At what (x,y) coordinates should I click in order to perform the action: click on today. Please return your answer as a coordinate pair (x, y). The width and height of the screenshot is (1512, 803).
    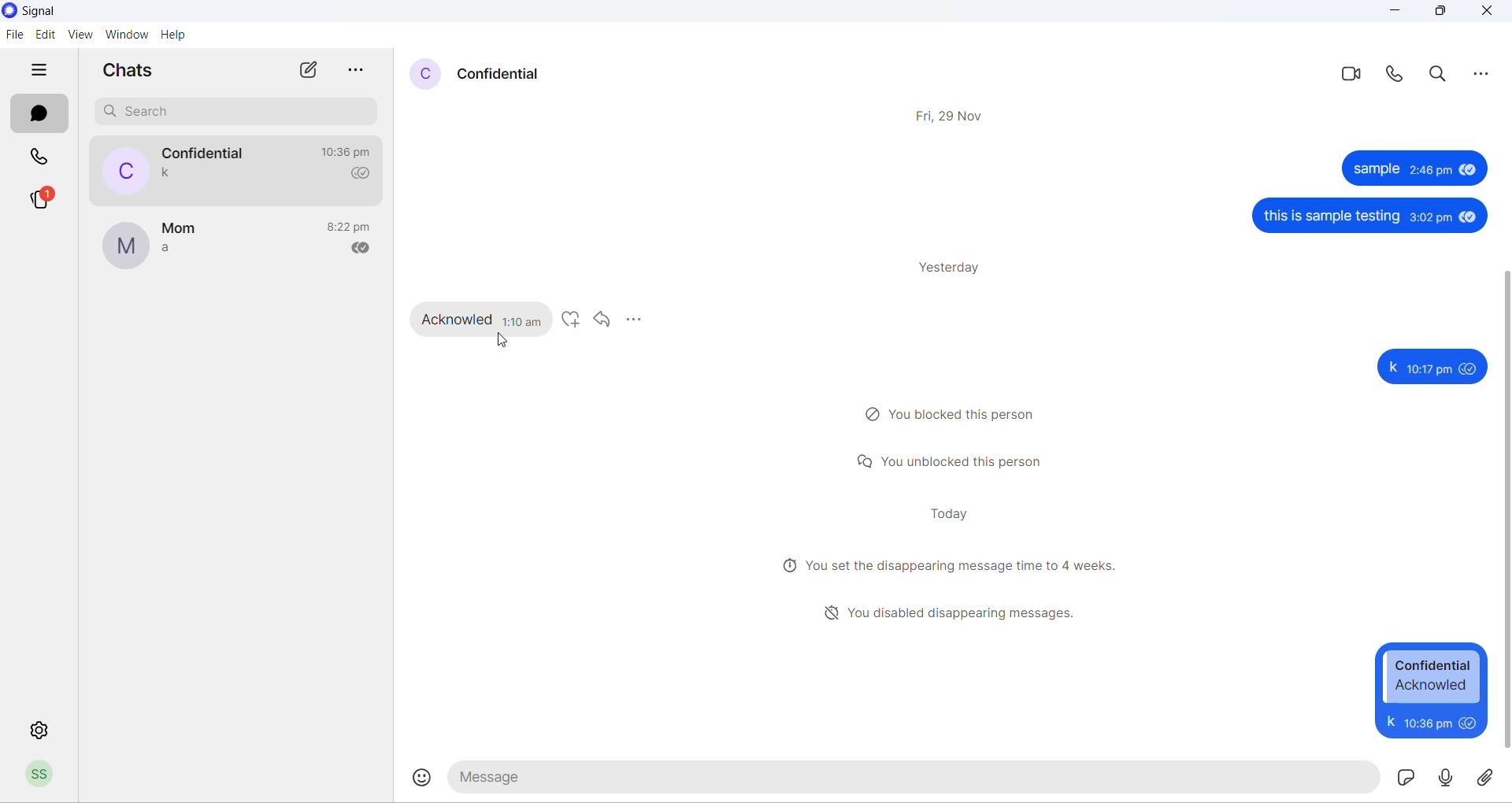
    Looking at the image, I should click on (951, 515).